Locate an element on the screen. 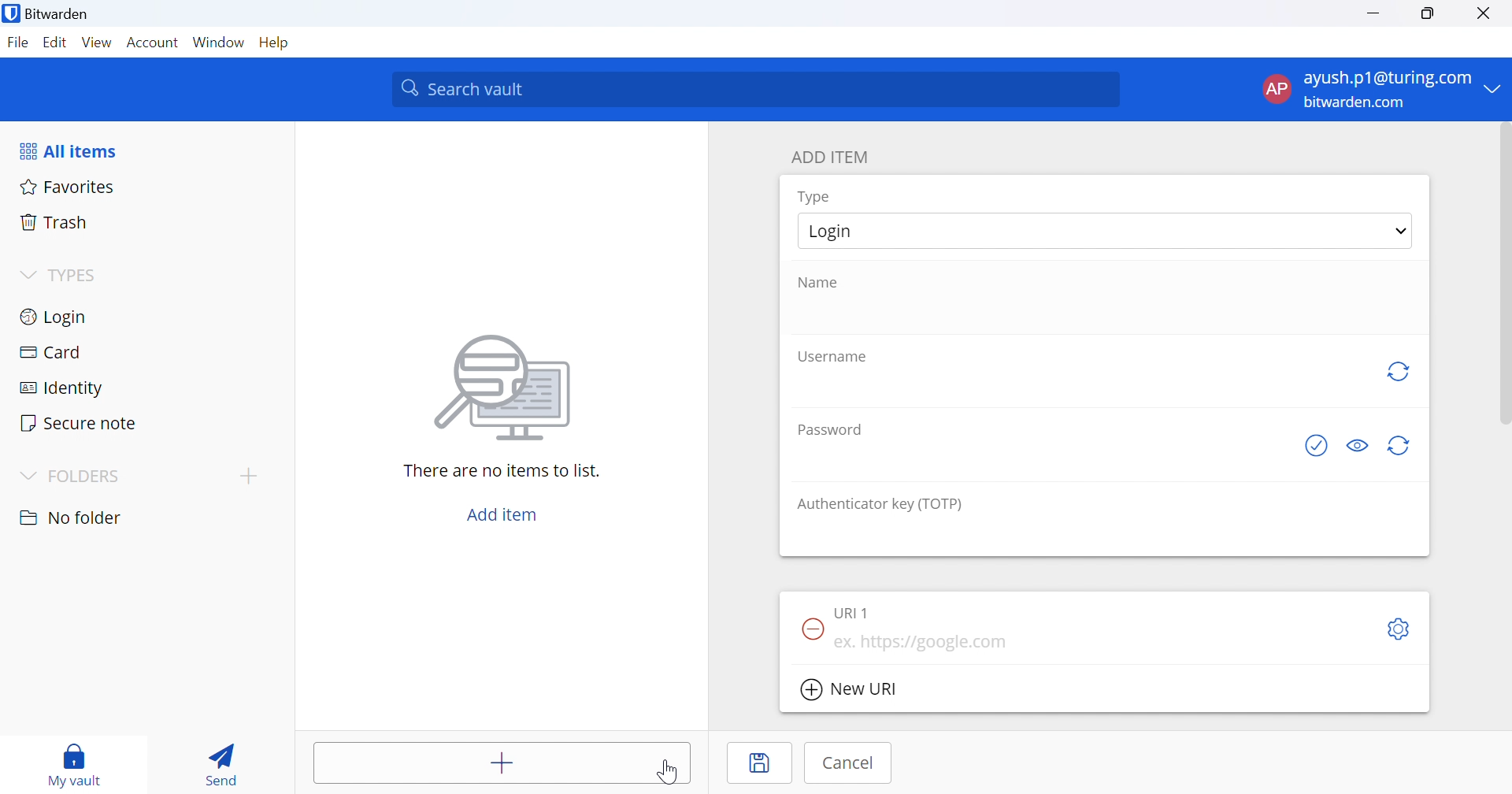 Image resolution: width=1512 pixels, height=794 pixels. Cursor is located at coordinates (672, 774).